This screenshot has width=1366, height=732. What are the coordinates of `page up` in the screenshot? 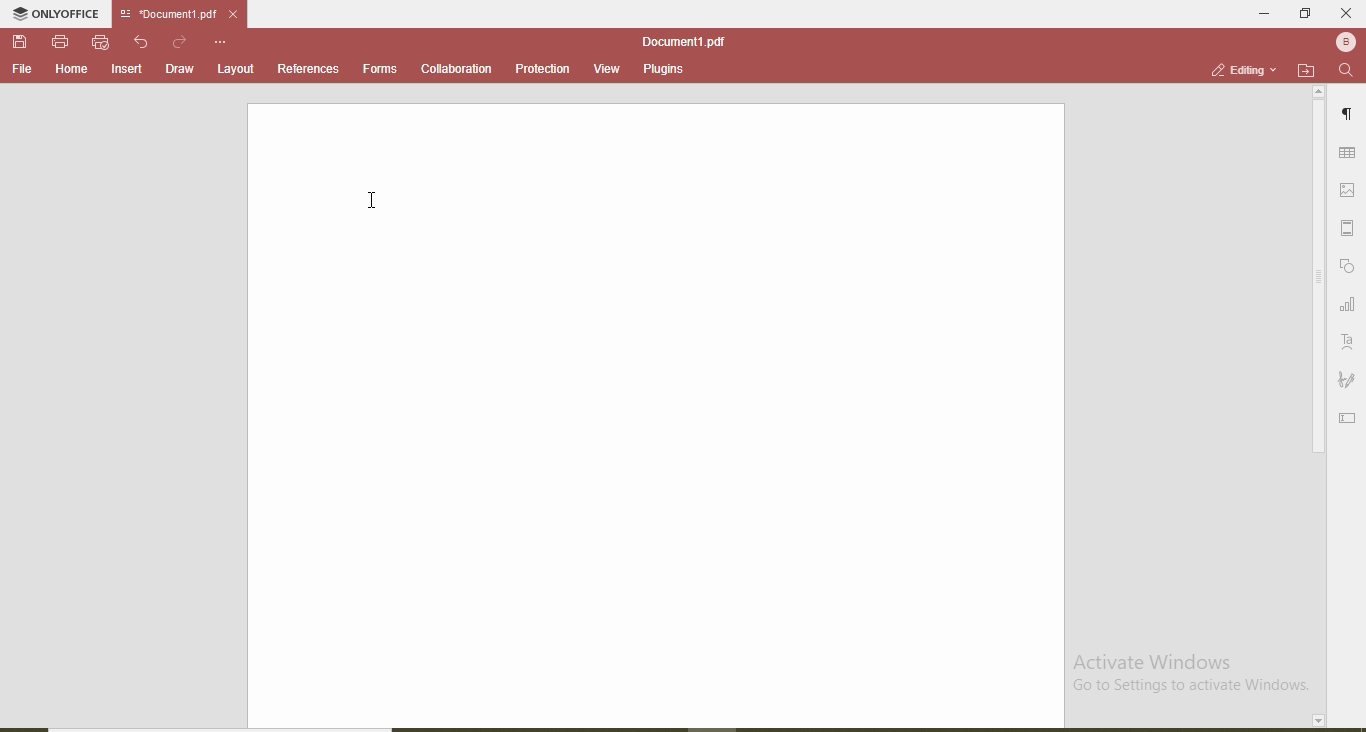 It's located at (1319, 92).